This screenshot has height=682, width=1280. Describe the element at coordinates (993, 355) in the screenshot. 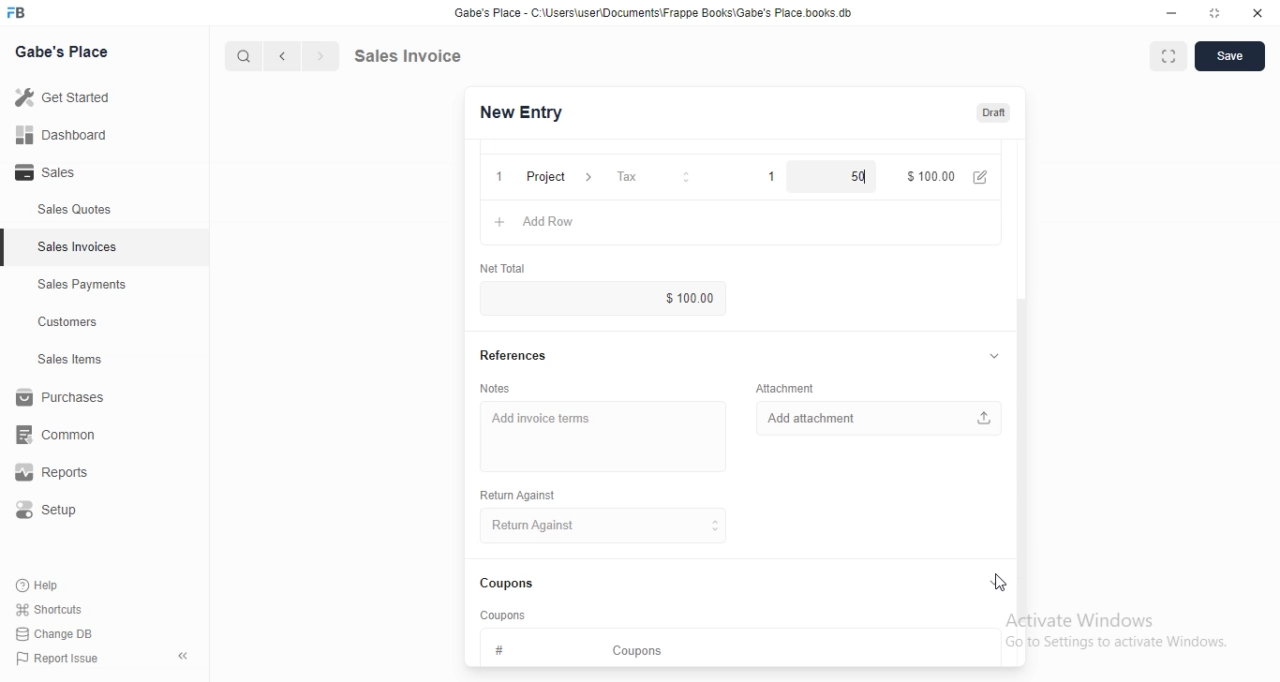

I see `collapse` at that location.